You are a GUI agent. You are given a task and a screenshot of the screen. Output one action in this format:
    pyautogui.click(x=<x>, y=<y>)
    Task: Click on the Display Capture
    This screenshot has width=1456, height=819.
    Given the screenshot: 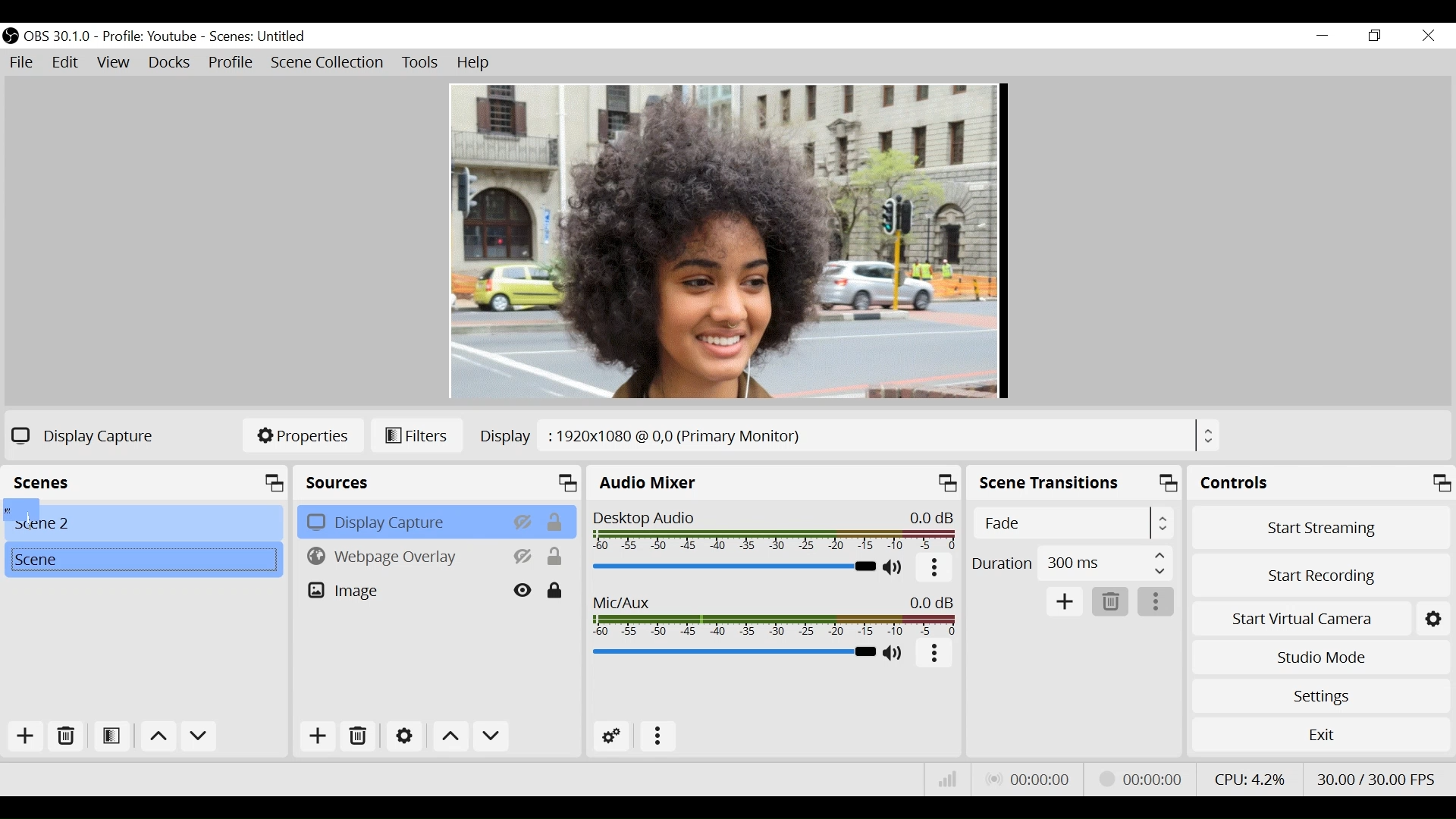 What is the action you would take?
    pyautogui.click(x=87, y=435)
    